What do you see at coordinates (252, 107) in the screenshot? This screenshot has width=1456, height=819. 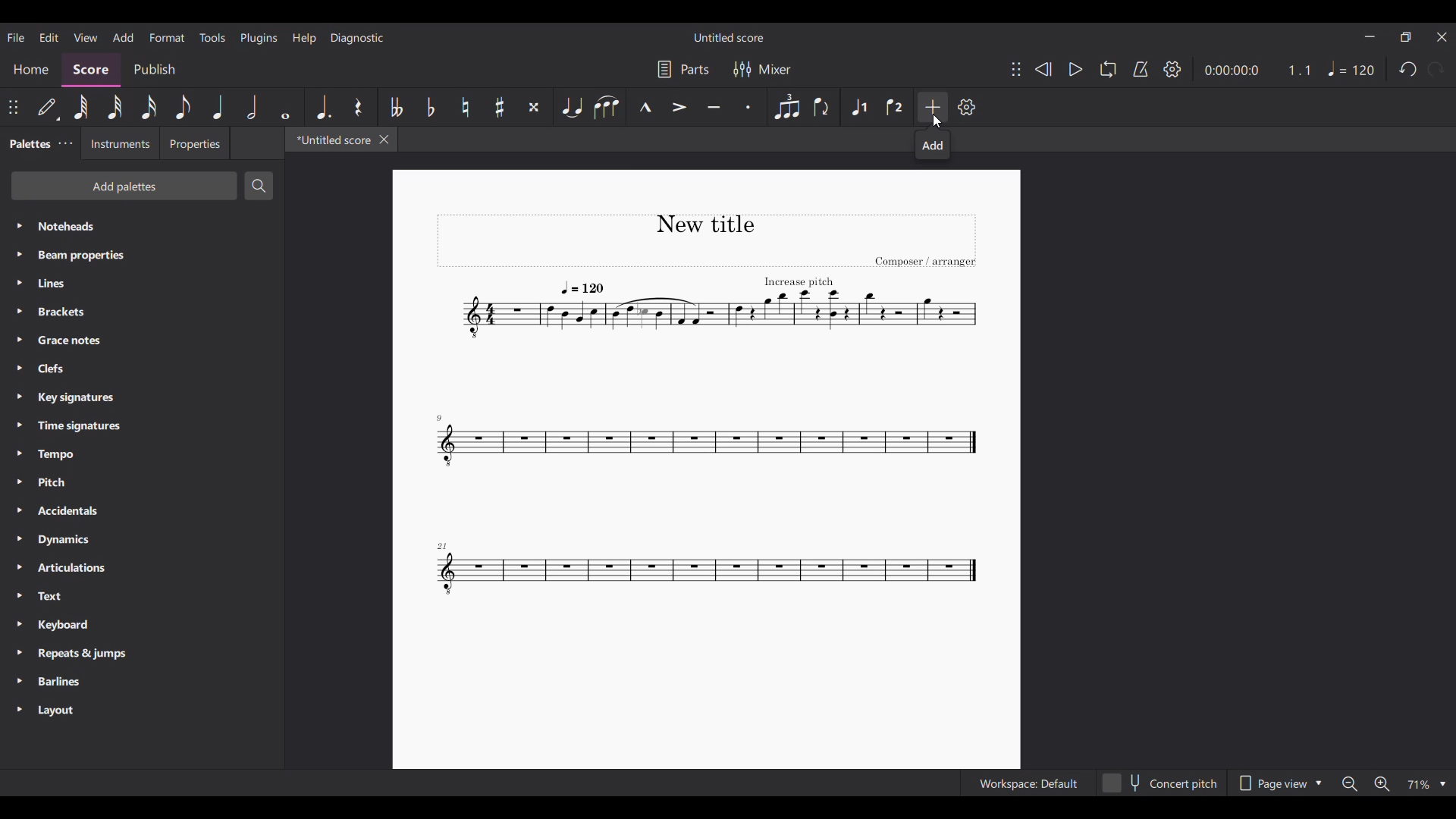 I see `Half note` at bounding box center [252, 107].